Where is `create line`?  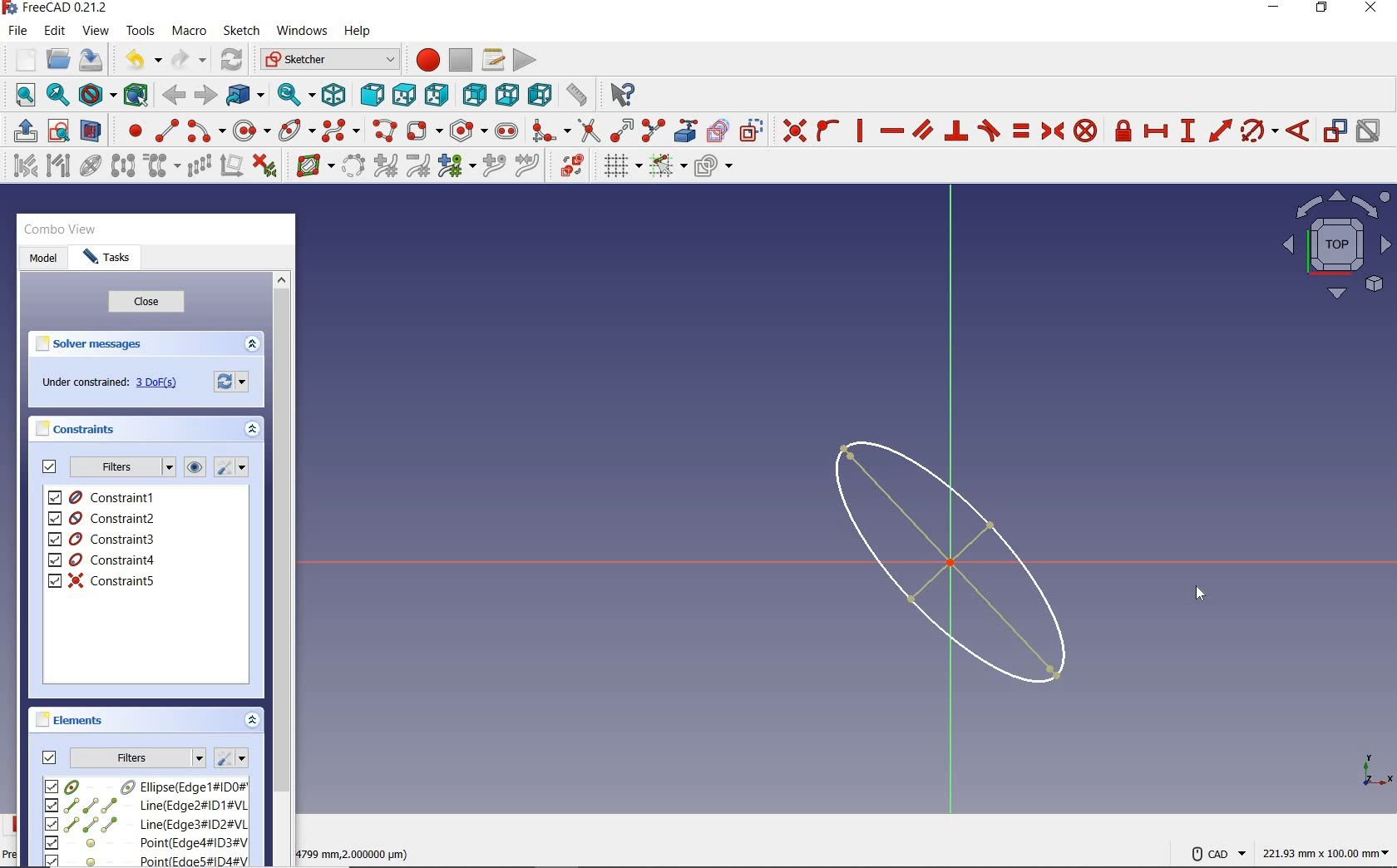 create line is located at coordinates (166, 131).